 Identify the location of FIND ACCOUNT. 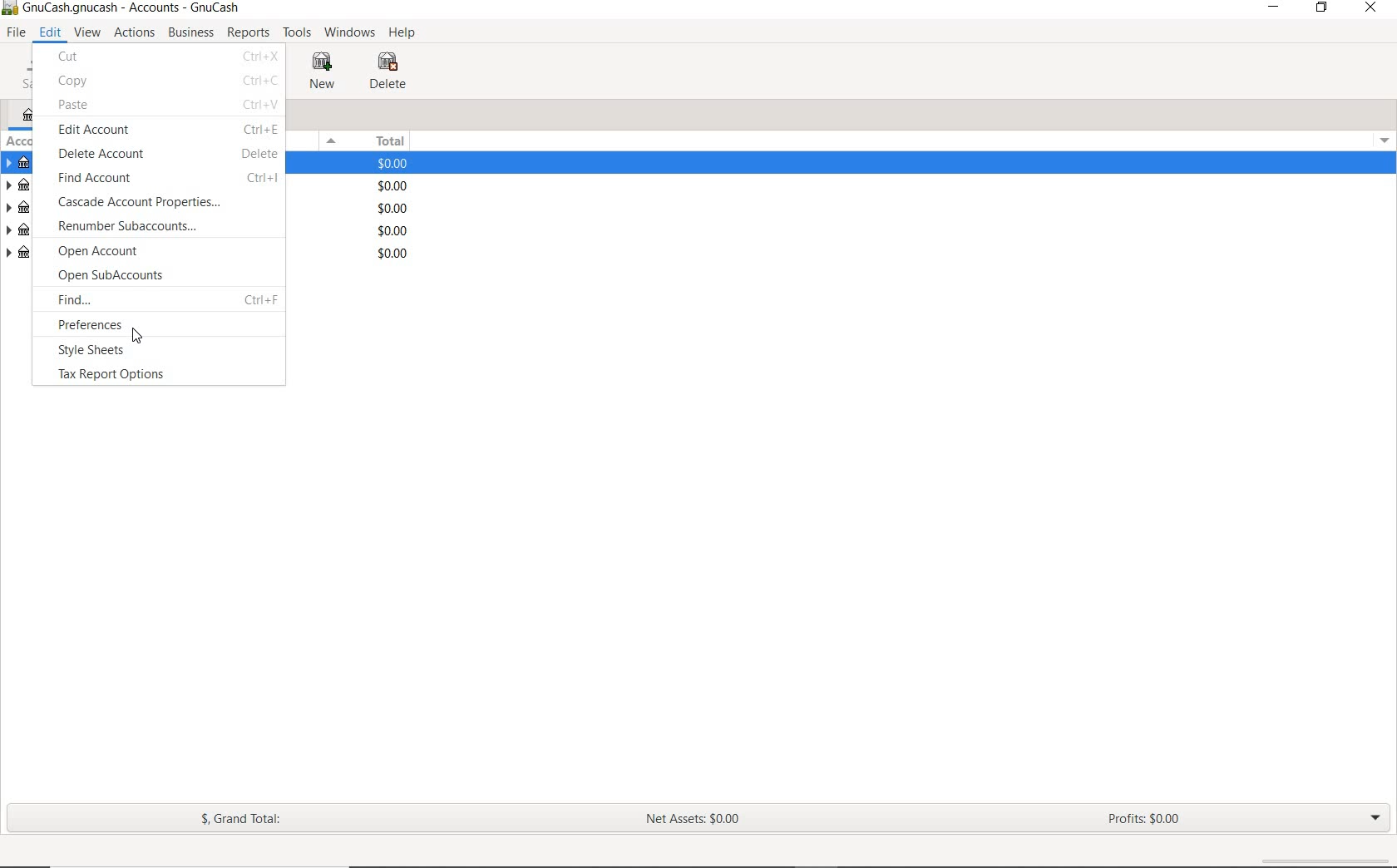
(165, 180).